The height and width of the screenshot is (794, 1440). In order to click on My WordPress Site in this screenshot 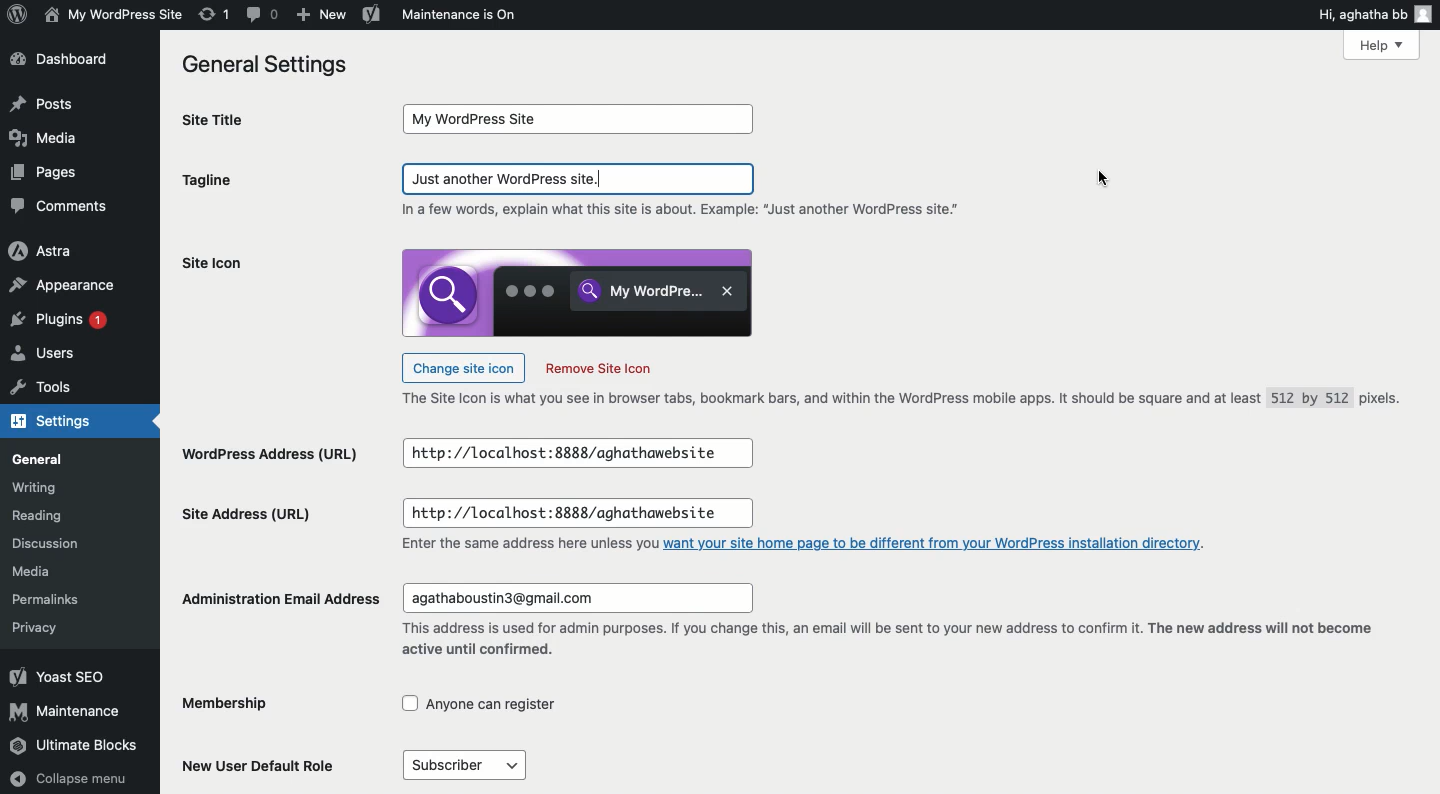, I will do `click(111, 14)`.